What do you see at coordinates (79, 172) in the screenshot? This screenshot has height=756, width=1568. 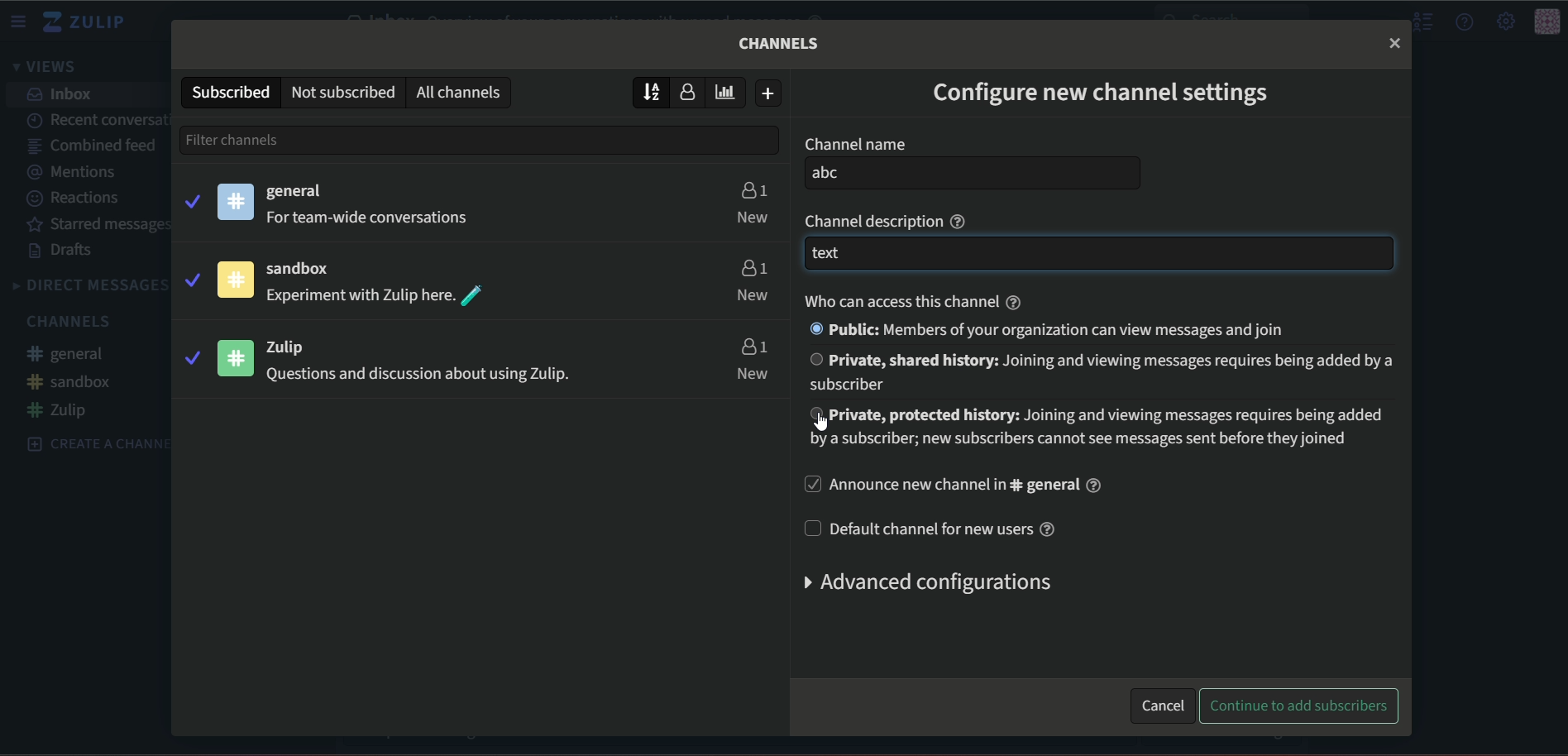 I see `mentions` at bounding box center [79, 172].